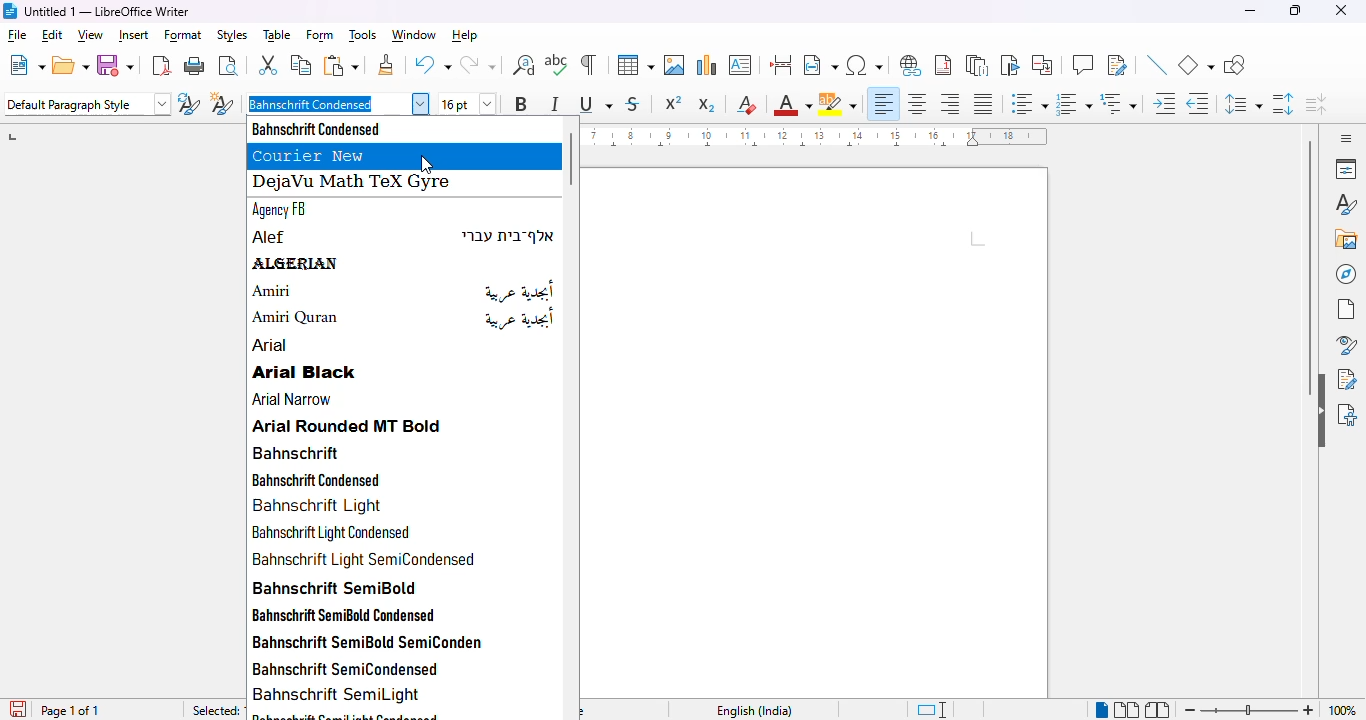  Describe the element at coordinates (1042, 64) in the screenshot. I see `insert cross-reference` at that location.